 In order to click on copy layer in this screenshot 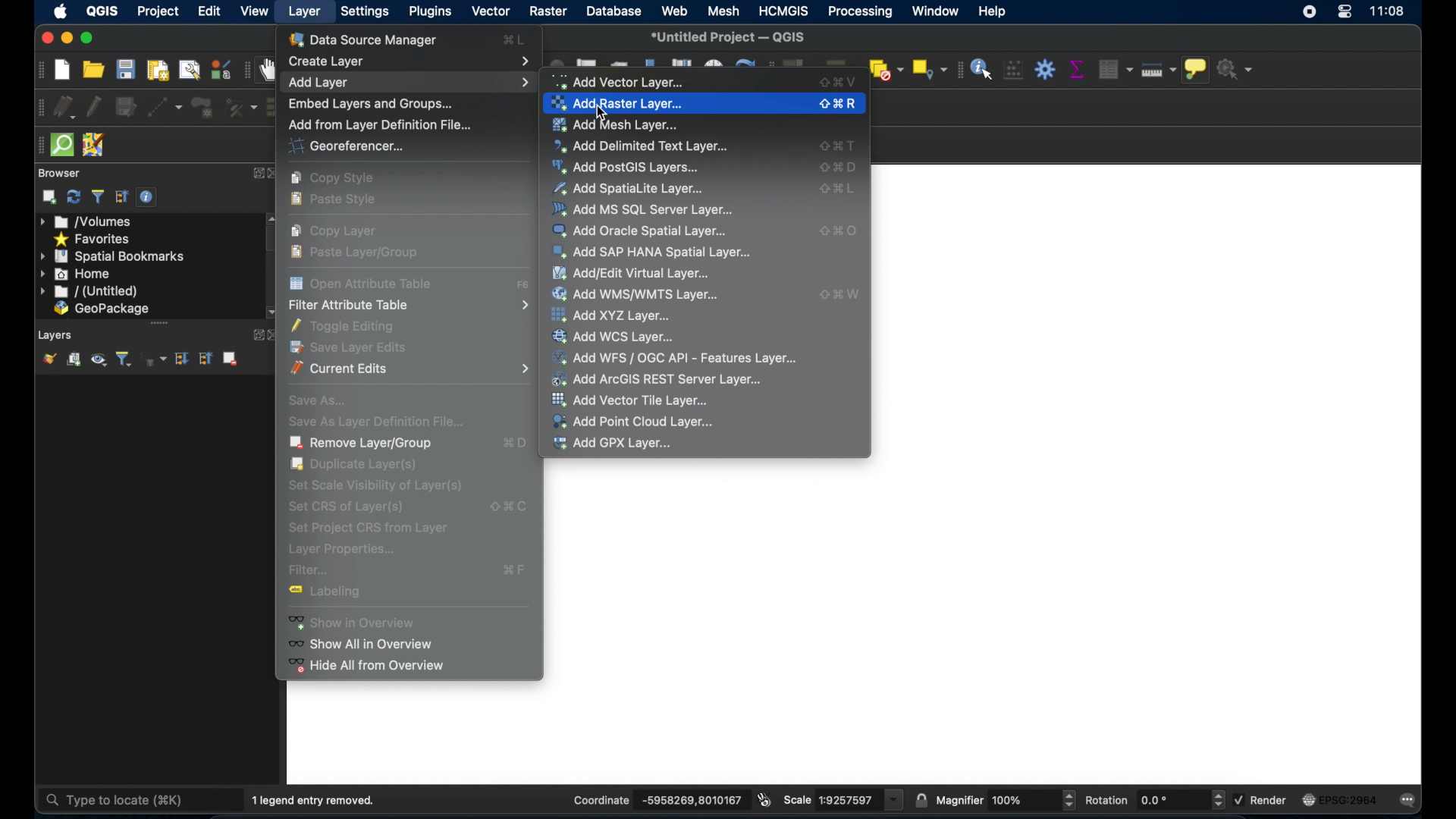, I will do `click(339, 231)`.